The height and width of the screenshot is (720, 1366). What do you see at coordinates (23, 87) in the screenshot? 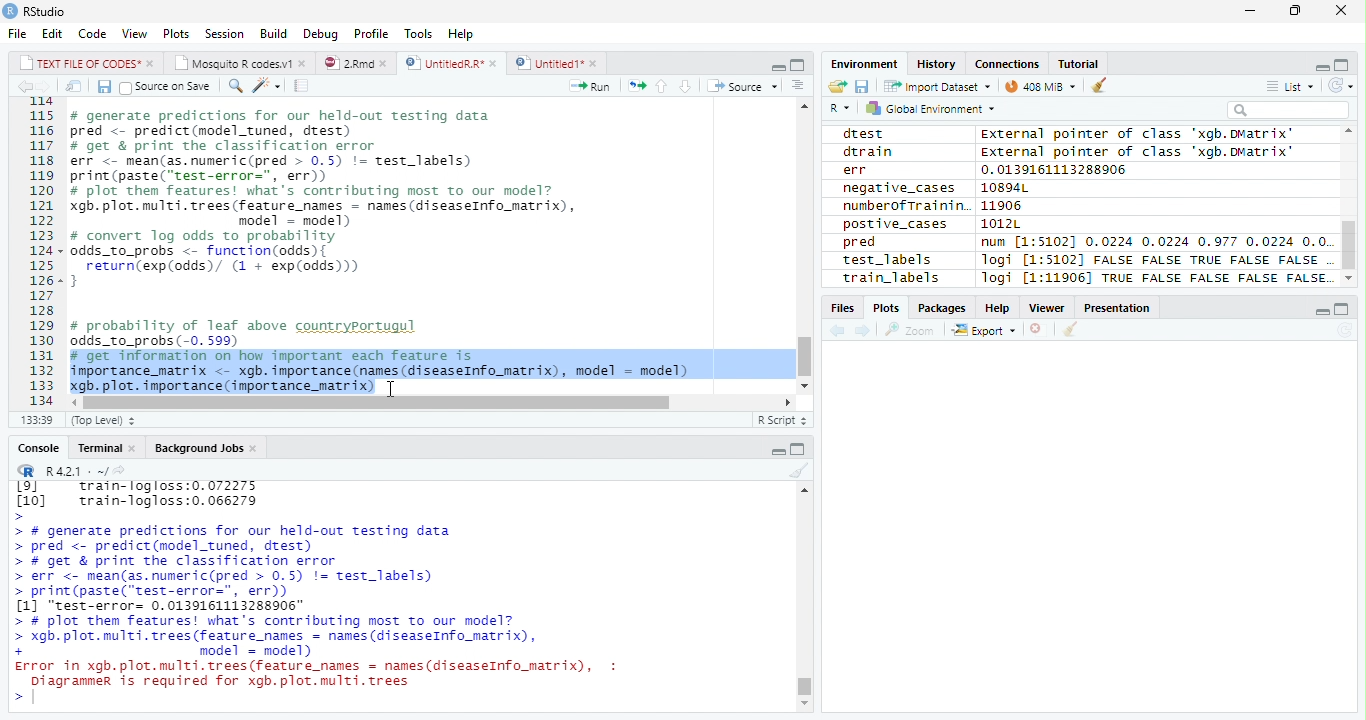
I see `Previous` at bounding box center [23, 87].